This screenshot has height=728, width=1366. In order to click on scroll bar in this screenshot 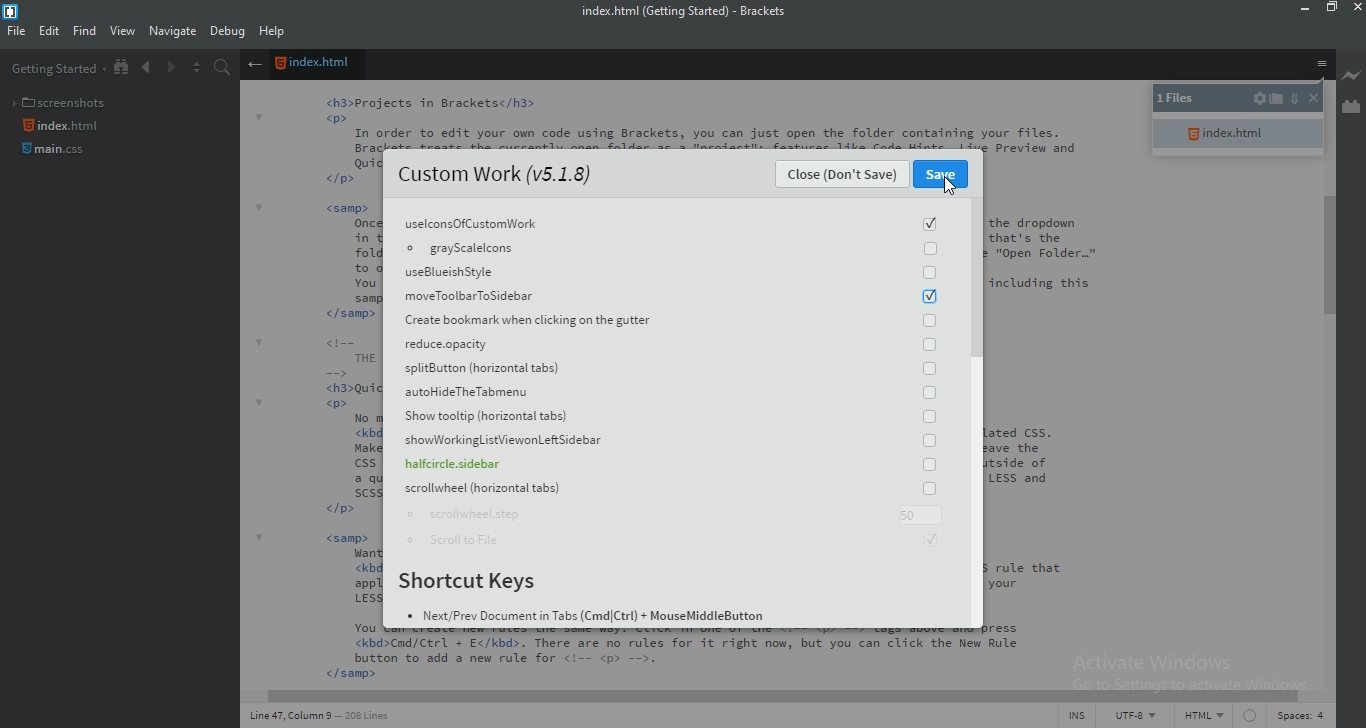, I will do `click(767, 693)`.